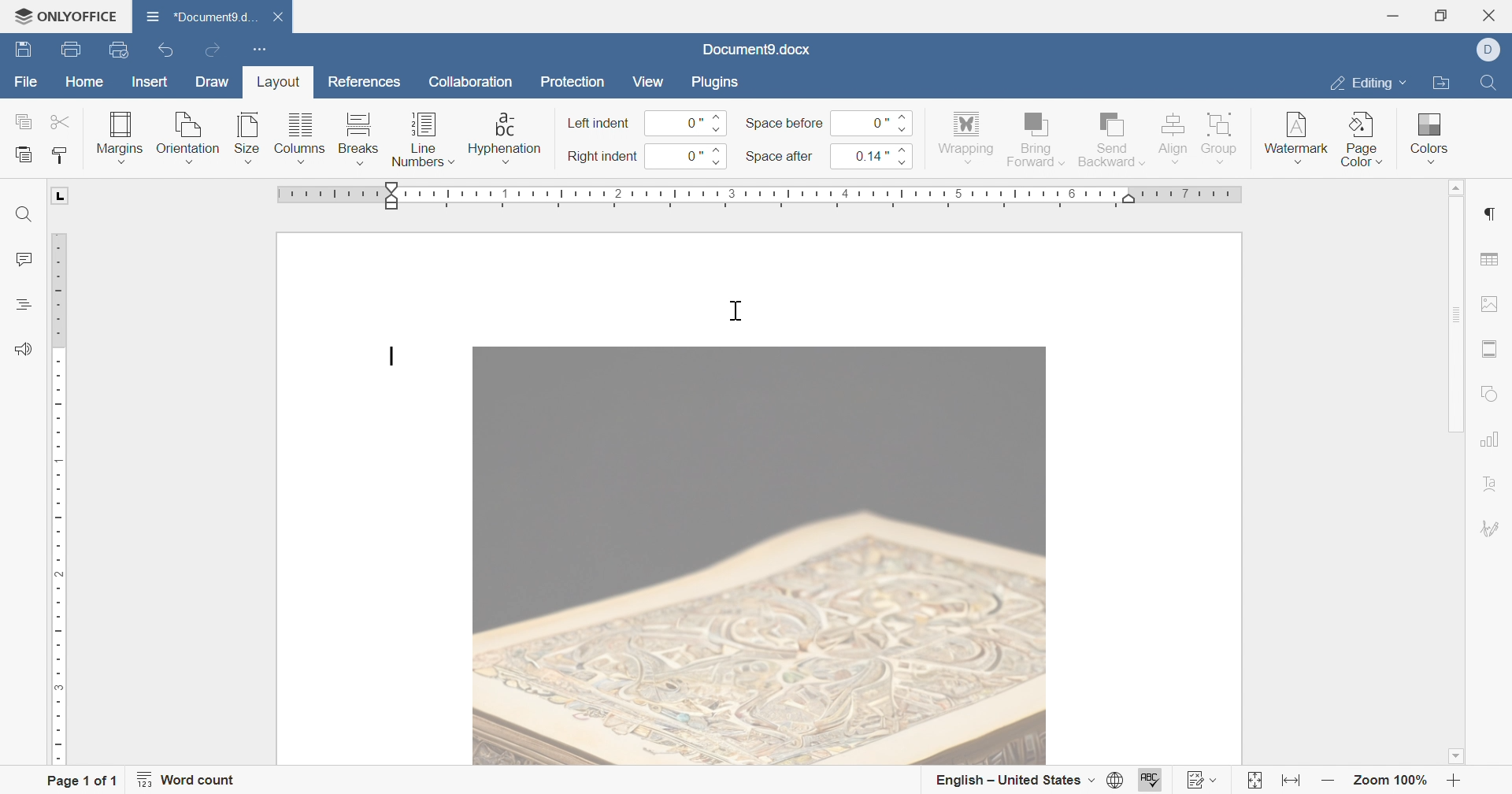 This screenshot has width=1512, height=794. Describe the element at coordinates (20, 50) in the screenshot. I see `save` at that location.